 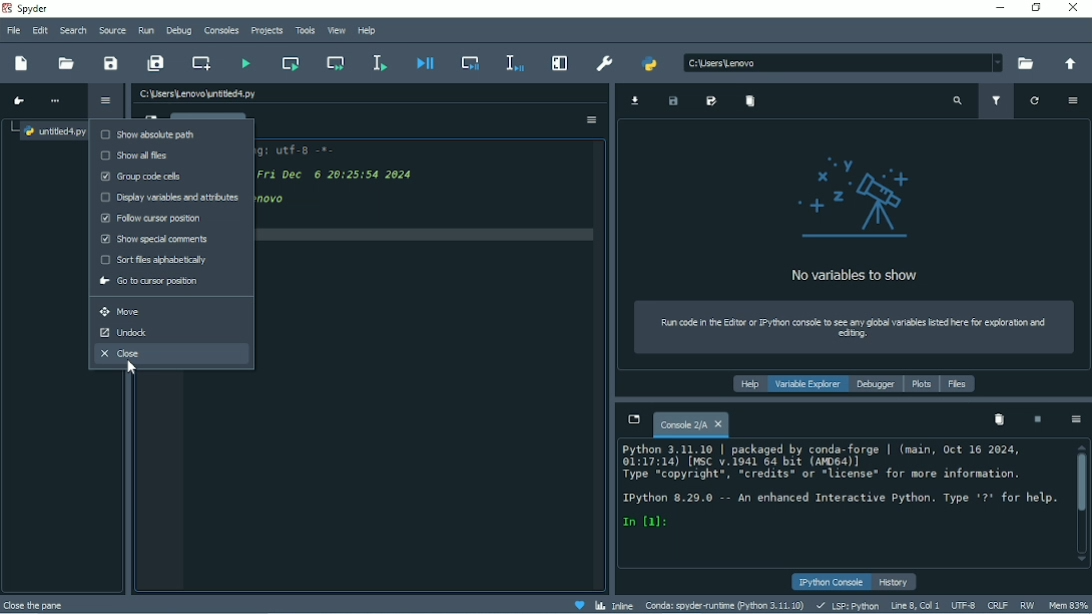 What do you see at coordinates (73, 30) in the screenshot?
I see `Search` at bounding box center [73, 30].